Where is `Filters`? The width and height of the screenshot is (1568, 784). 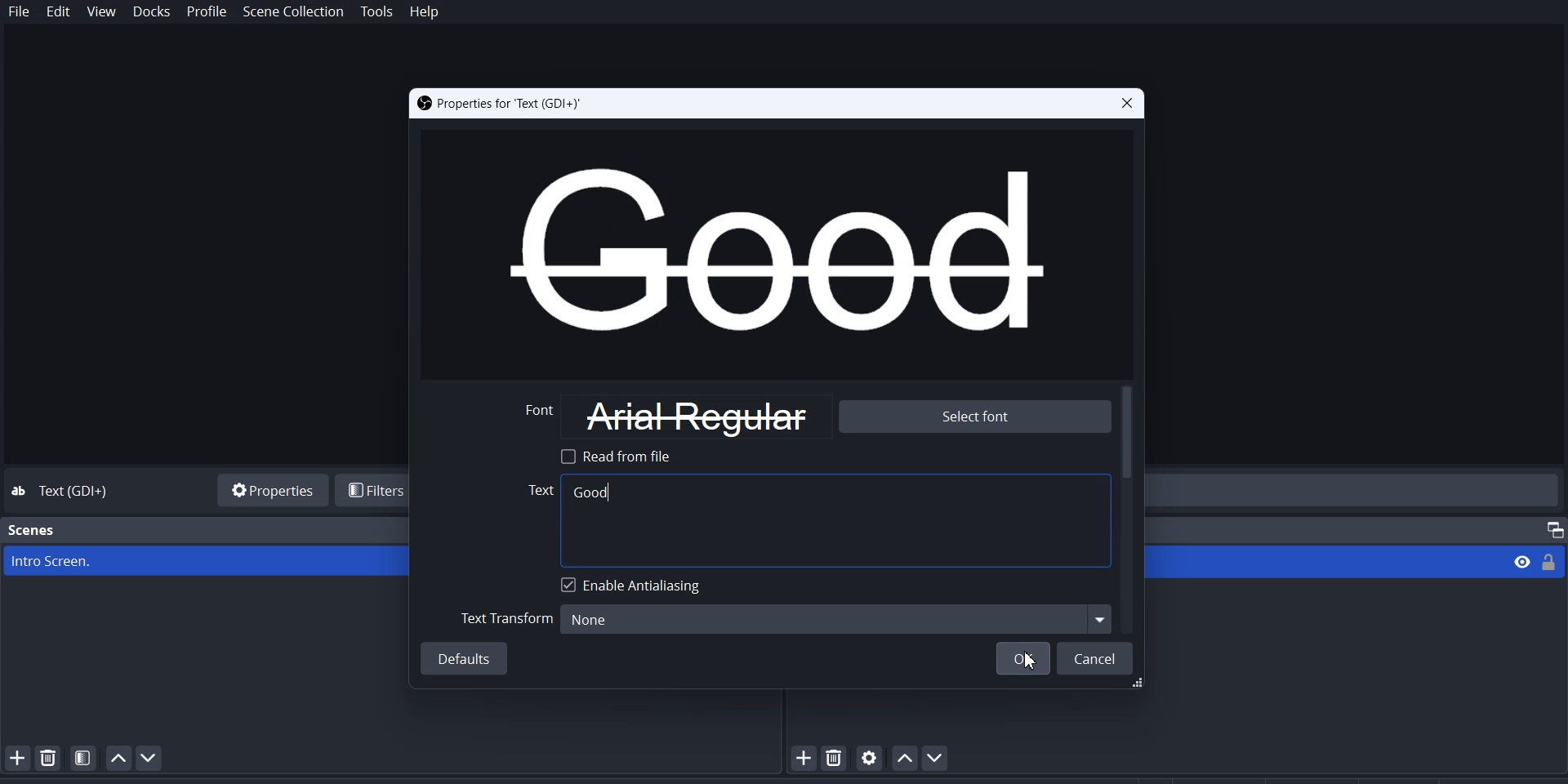 Filters is located at coordinates (375, 490).